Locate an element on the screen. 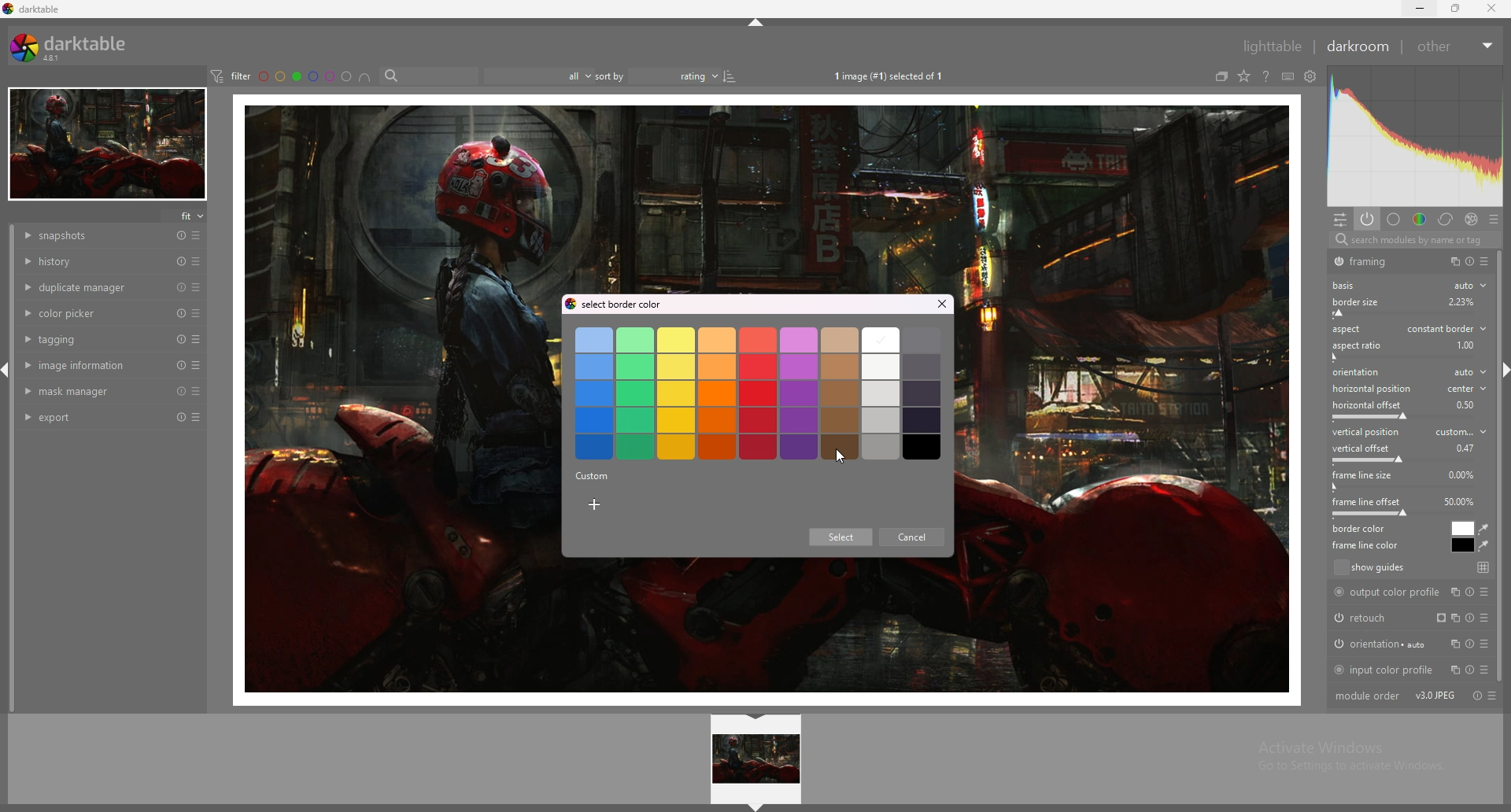 The image size is (1511, 812). snapshots is located at coordinates (96, 237).